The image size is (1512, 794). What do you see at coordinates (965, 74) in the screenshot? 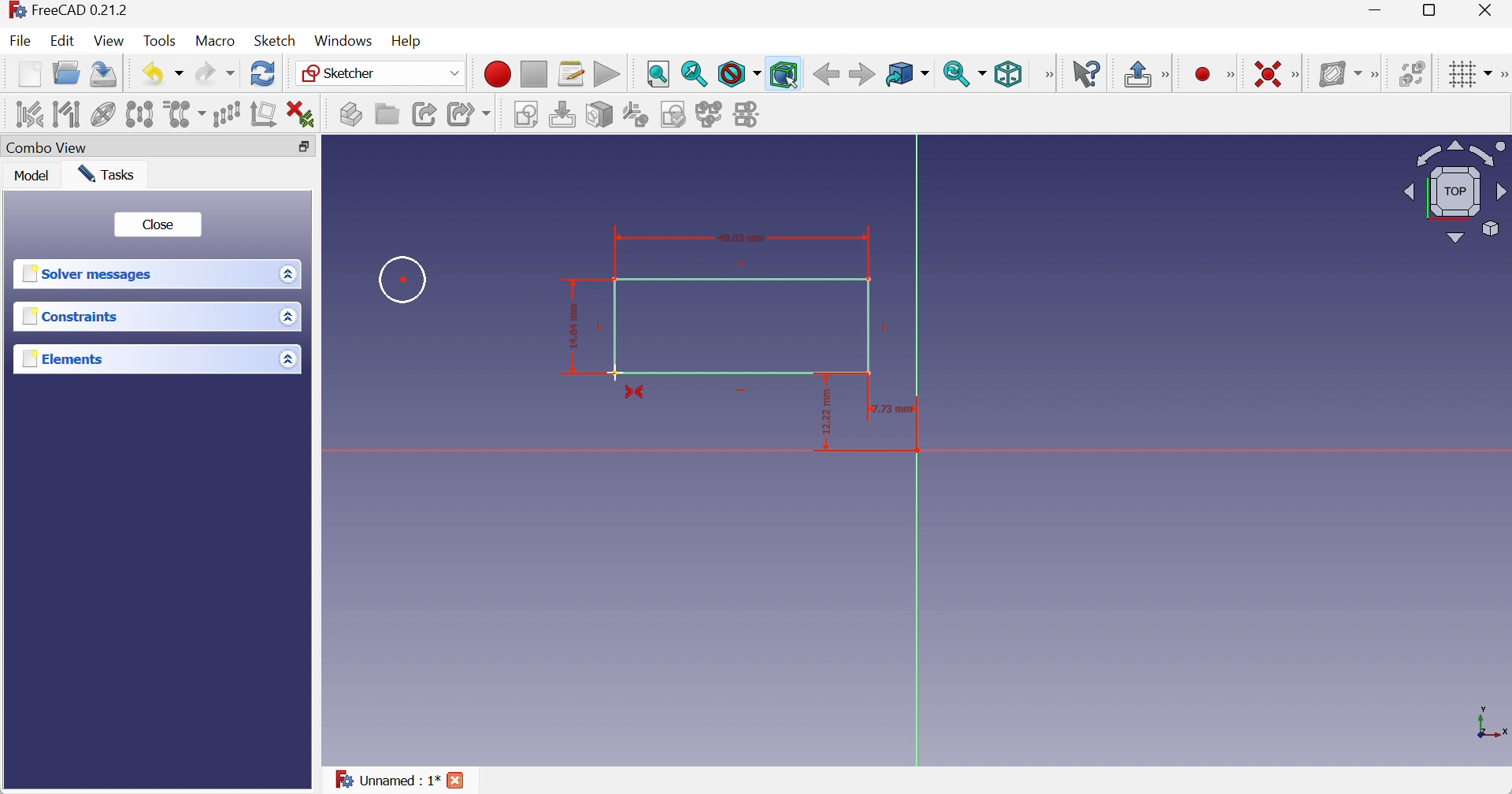
I see `Sync view` at bounding box center [965, 74].